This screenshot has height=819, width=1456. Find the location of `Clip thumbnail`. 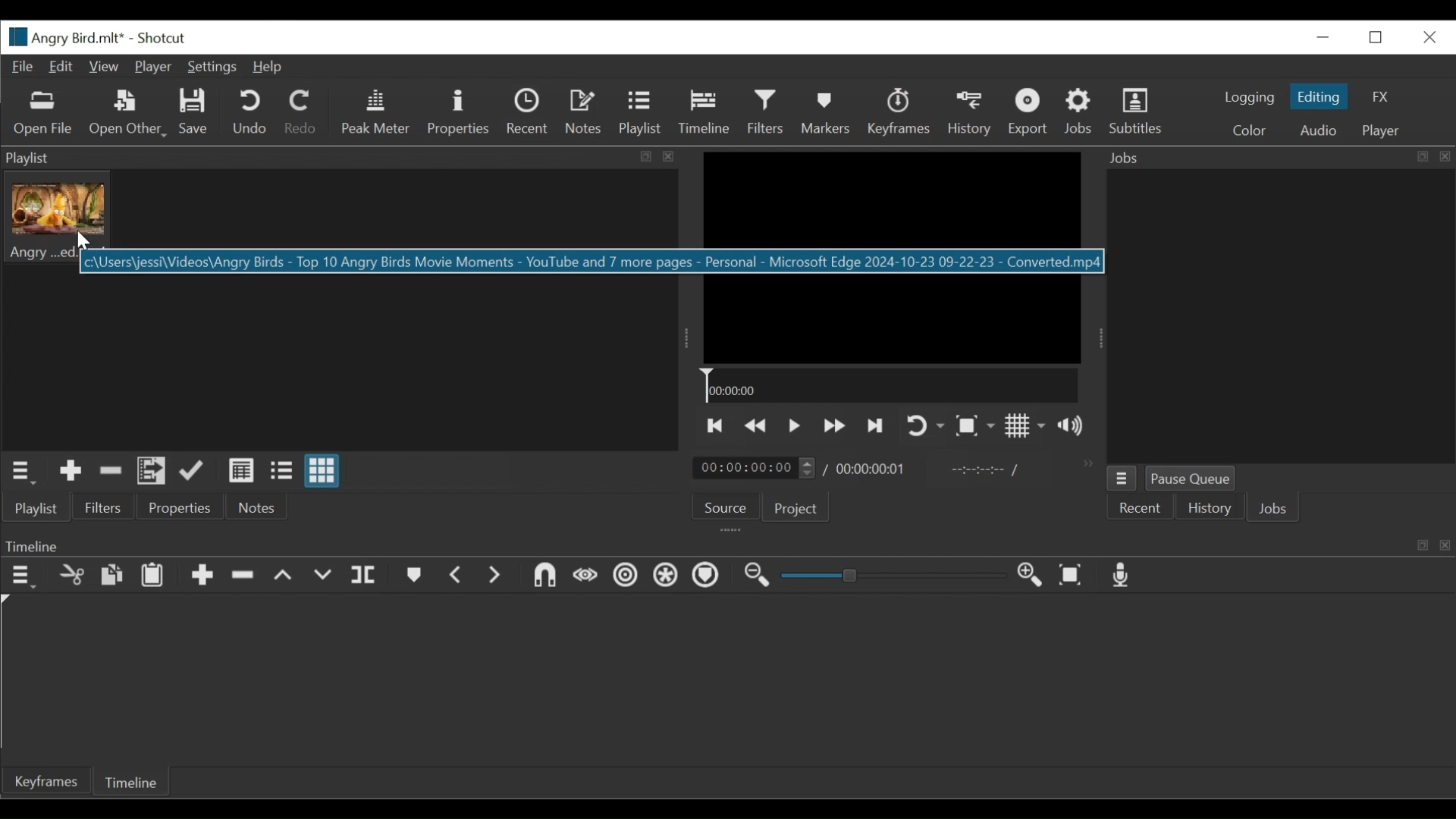

Clip thumbnail is located at coordinates (56, 218).